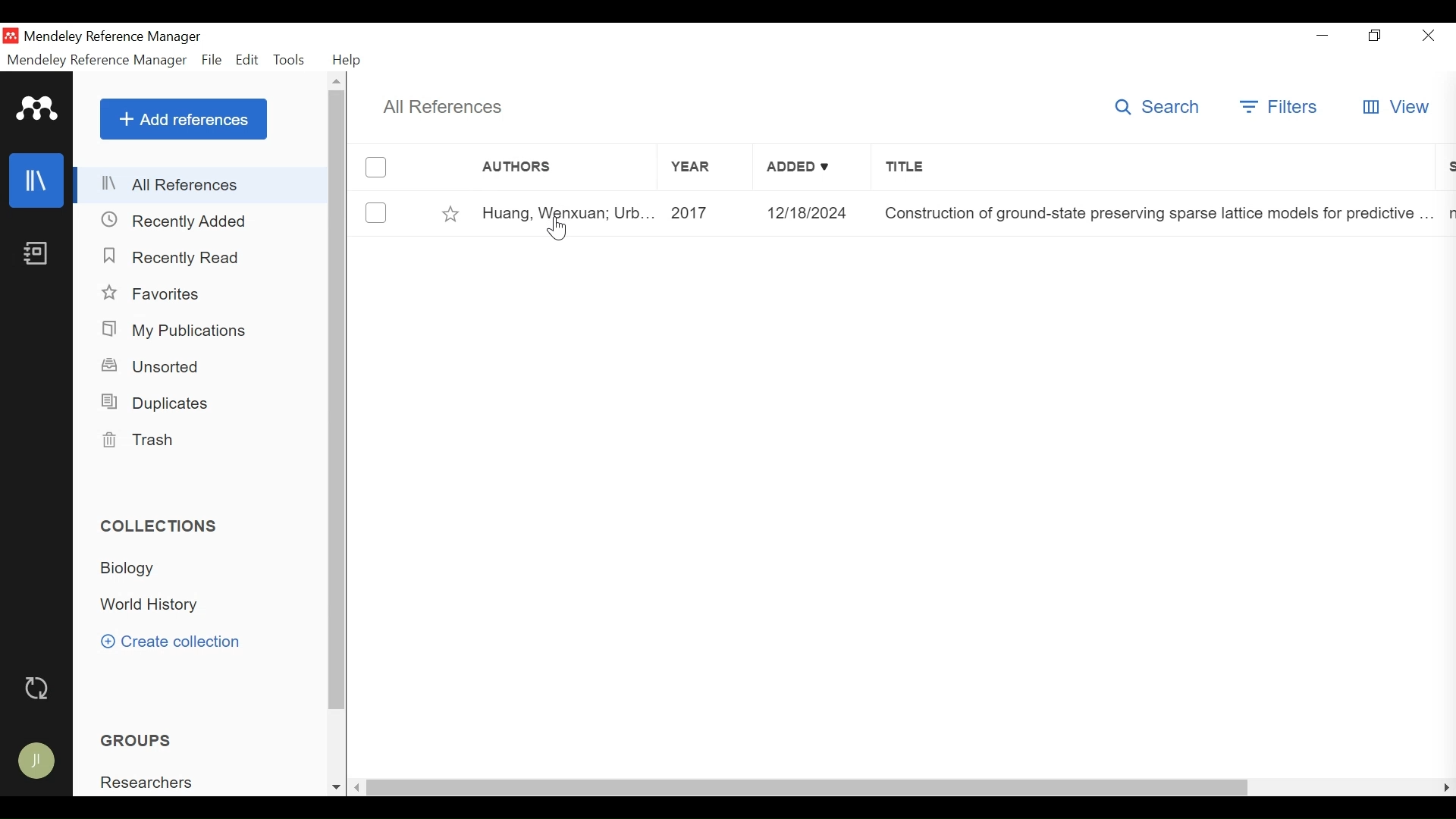  I want to click on Title, so click(1168, 165).